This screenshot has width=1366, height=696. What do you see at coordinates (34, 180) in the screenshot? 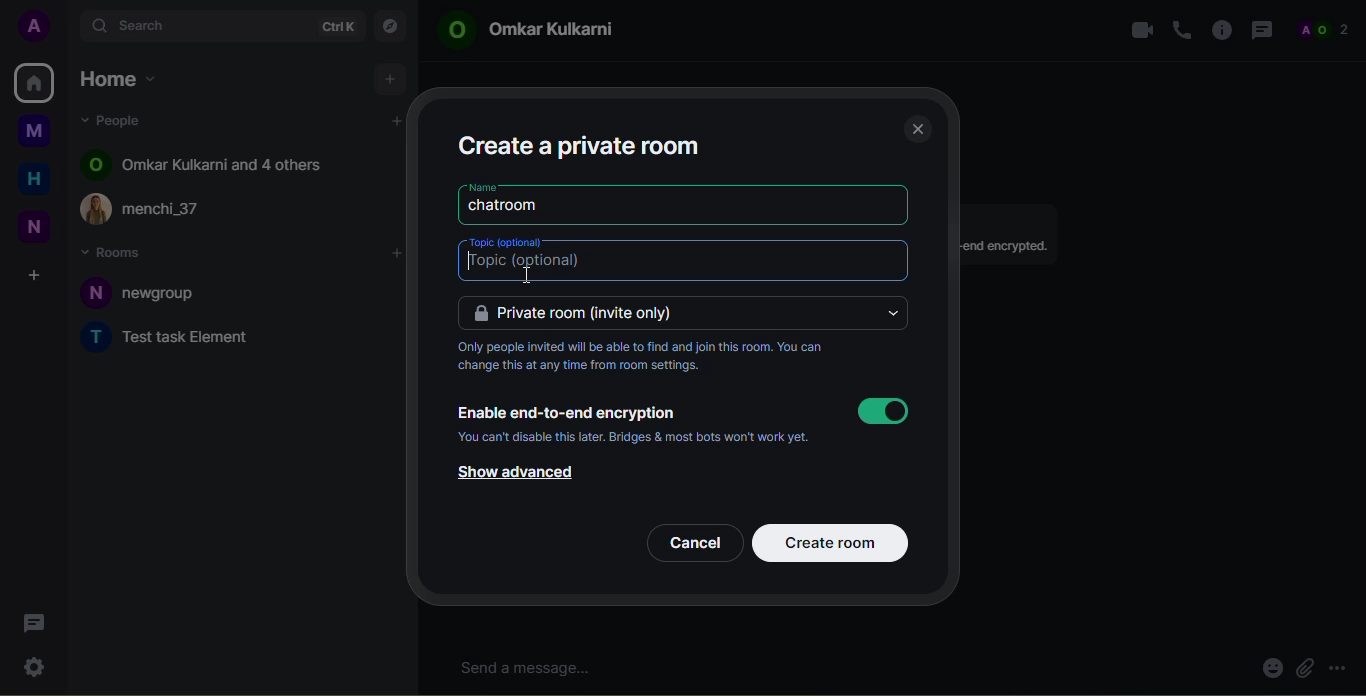
I see `home` at bounding box center [34, 180].